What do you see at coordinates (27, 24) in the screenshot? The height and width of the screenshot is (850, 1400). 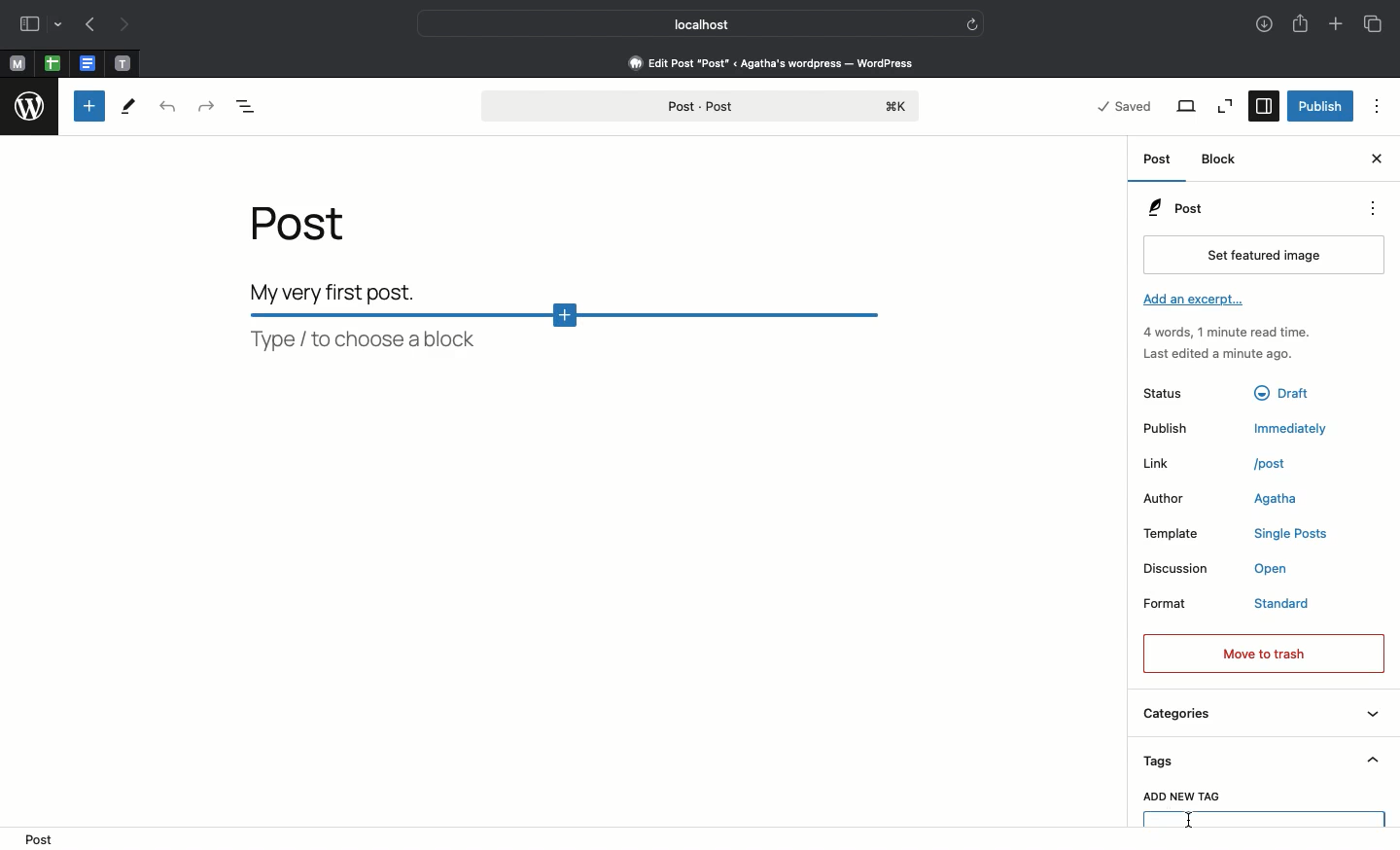 I see `Sidebar` at bounding box center [27, 24].